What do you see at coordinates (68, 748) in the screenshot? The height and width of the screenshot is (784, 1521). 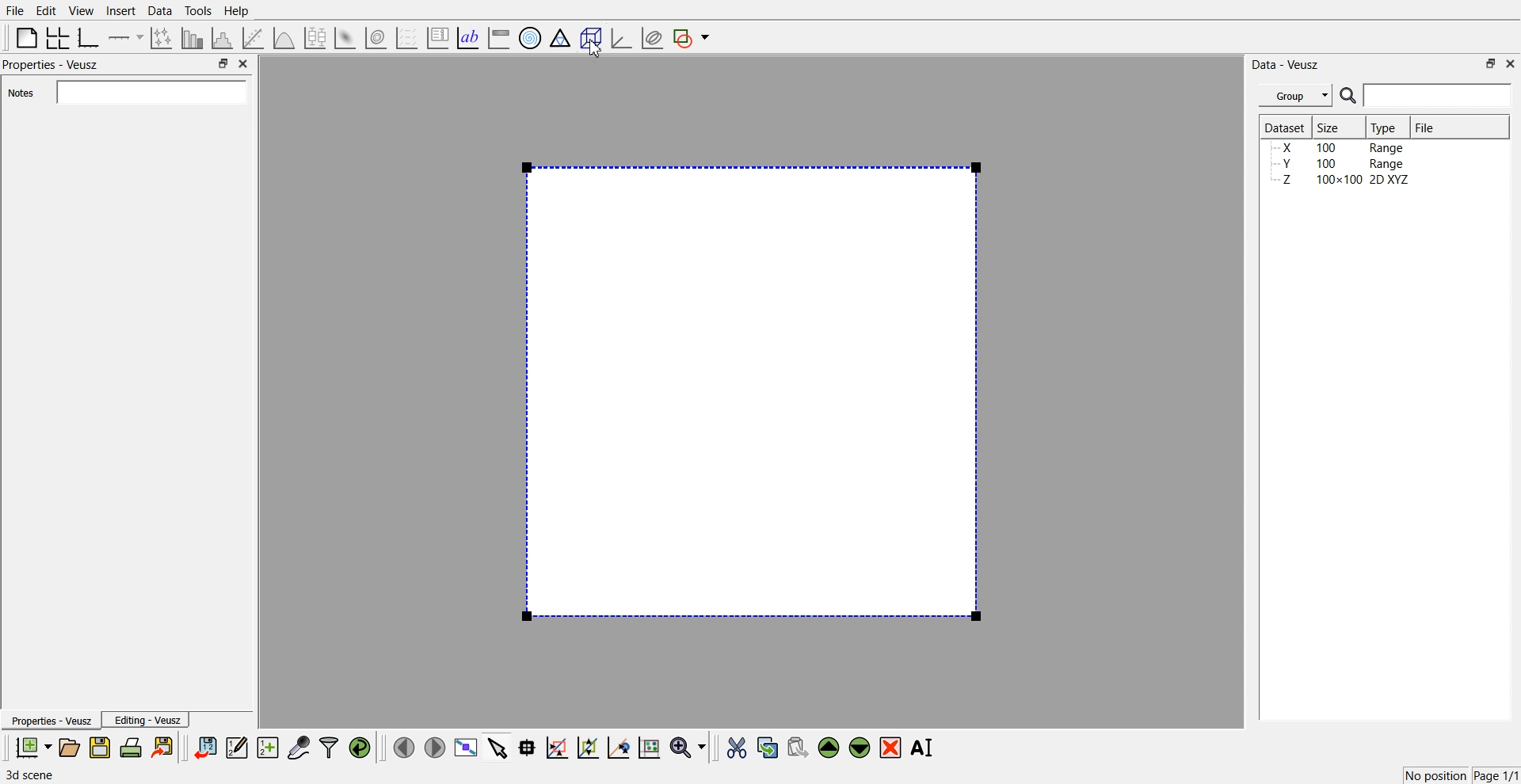 I see `Open the document` at bounding box center [68, 748].